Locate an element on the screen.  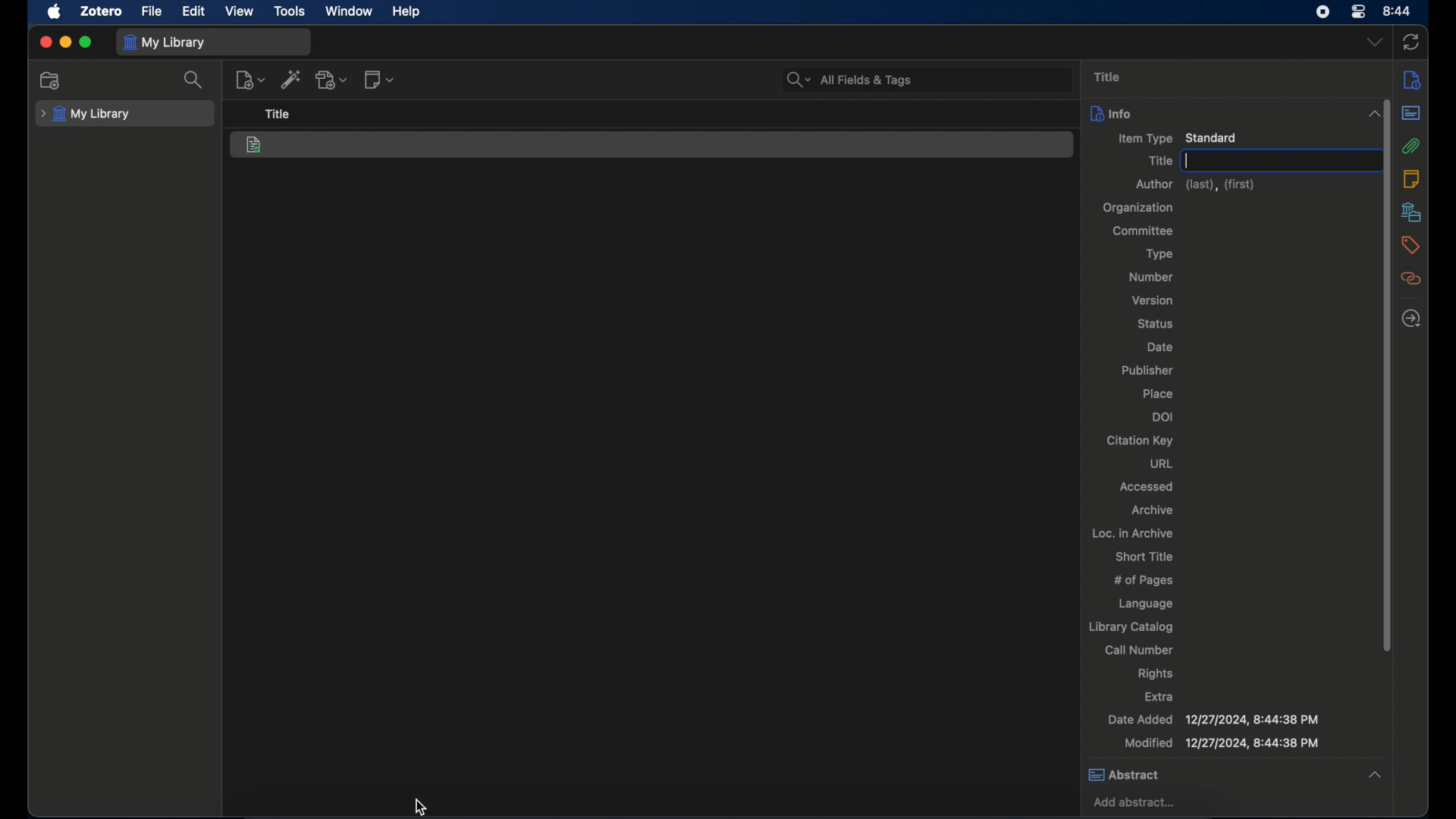
add item by identifier is located at coordinates (290, 80).